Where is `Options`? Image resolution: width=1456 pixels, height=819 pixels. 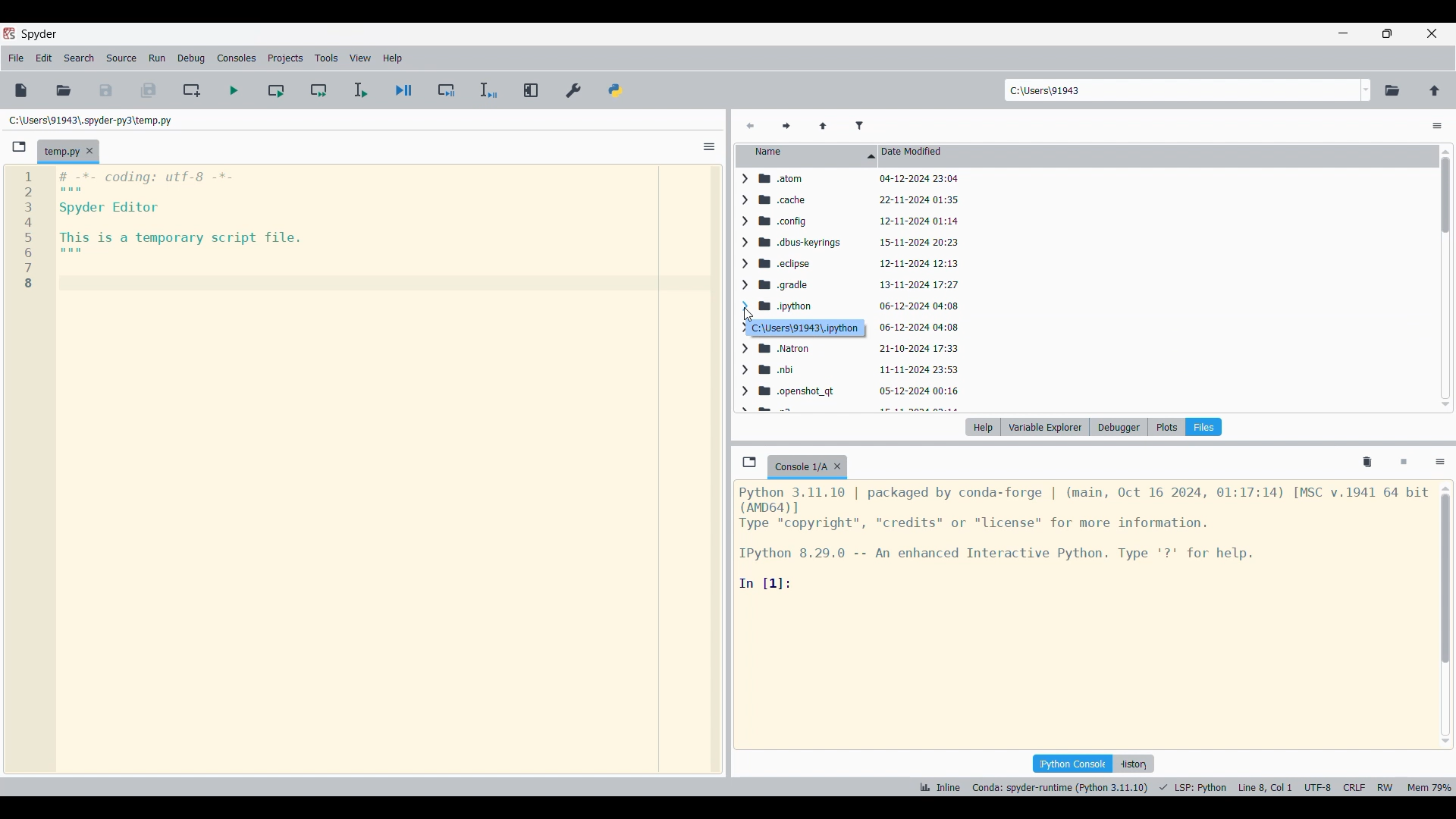 Options is located at coordinates (1437, 126).